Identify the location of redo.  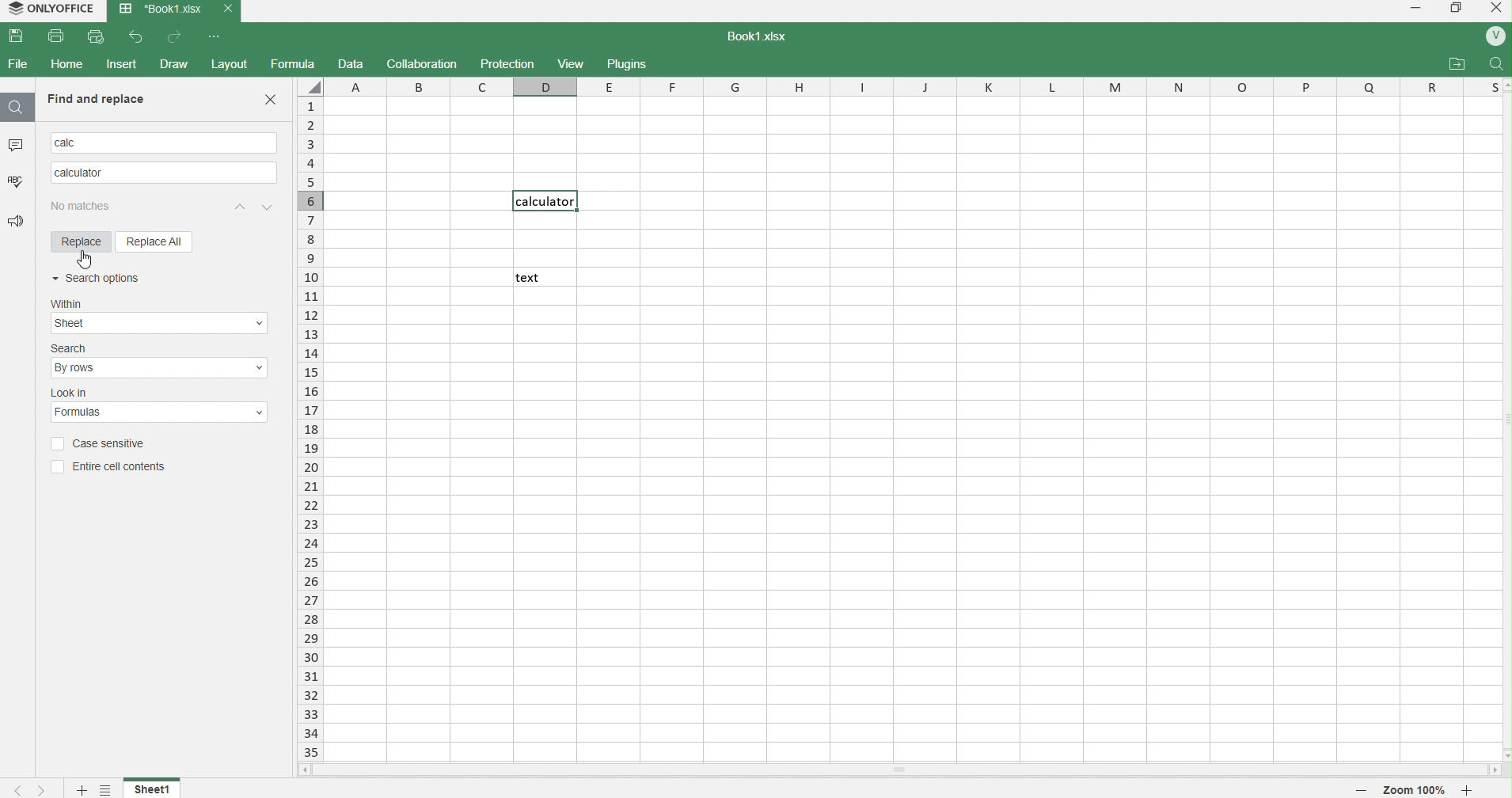
(177, 38).